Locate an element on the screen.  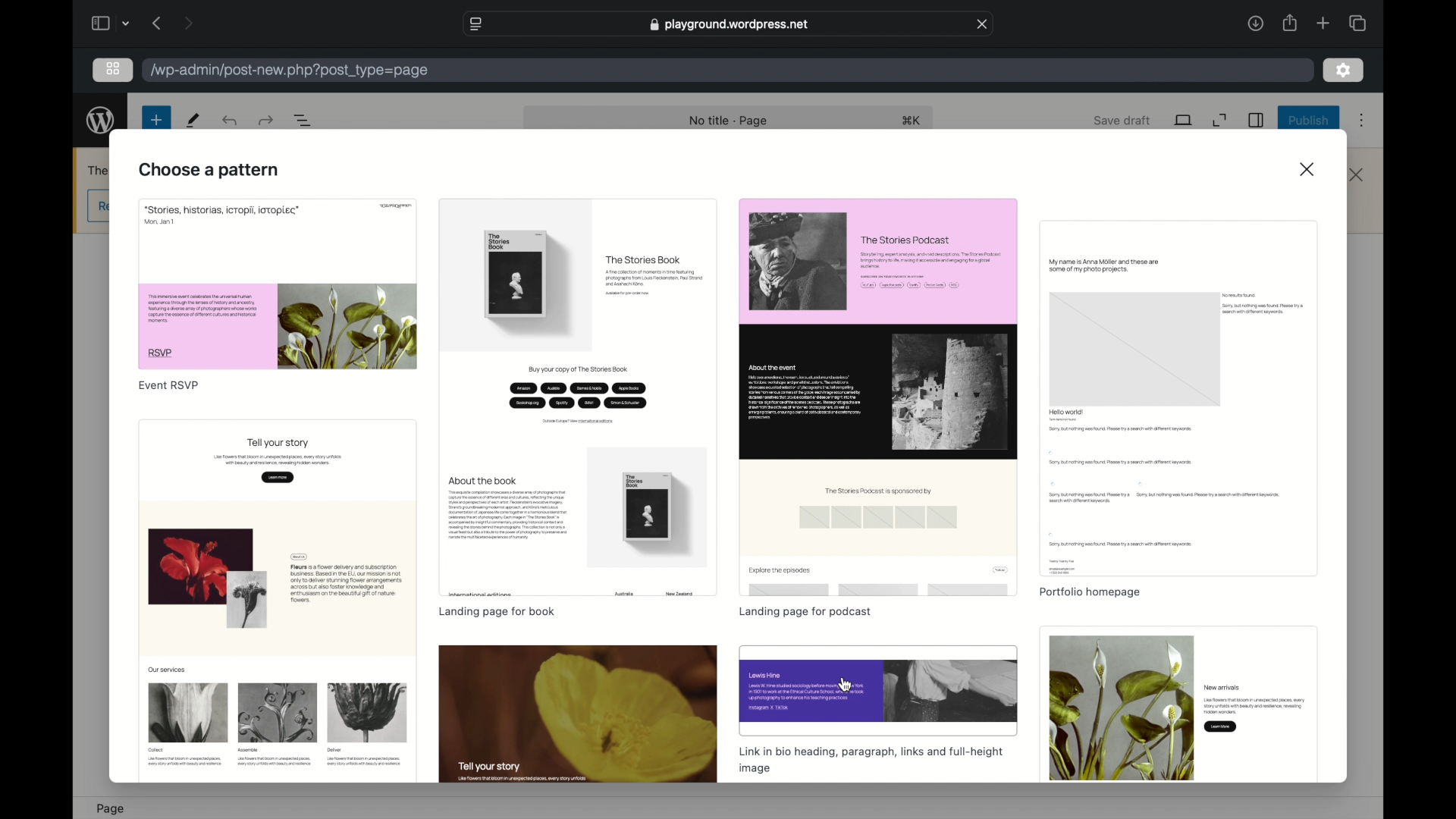
choose a pattern is located at coordinates (209, 171).